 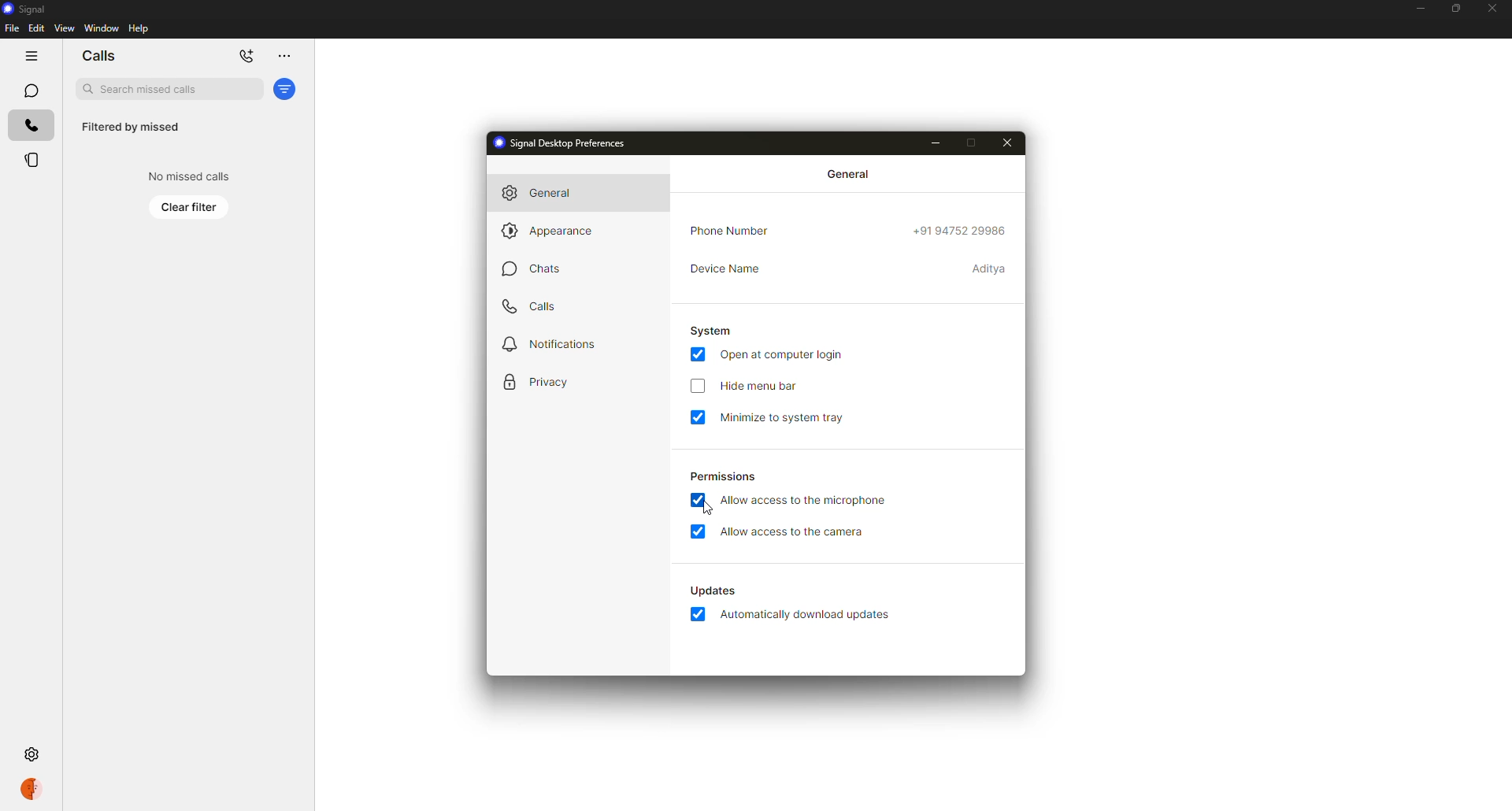 I want to click on calls, so click(x=527, y=307).